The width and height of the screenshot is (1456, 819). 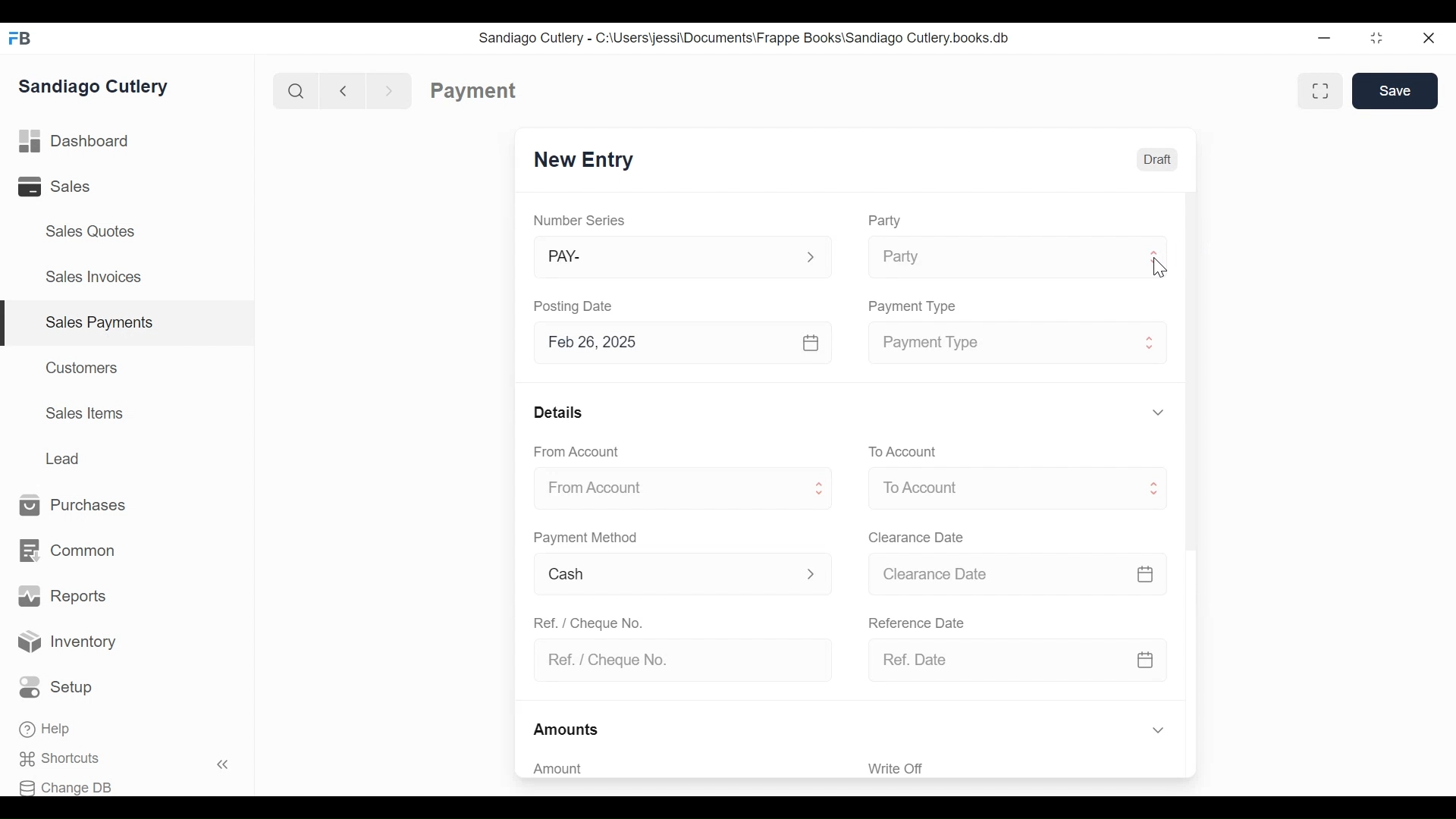 What do you see at coordinates (821, 490) in the screenshot?
I see `Expand` at bounding box center [821, 490].